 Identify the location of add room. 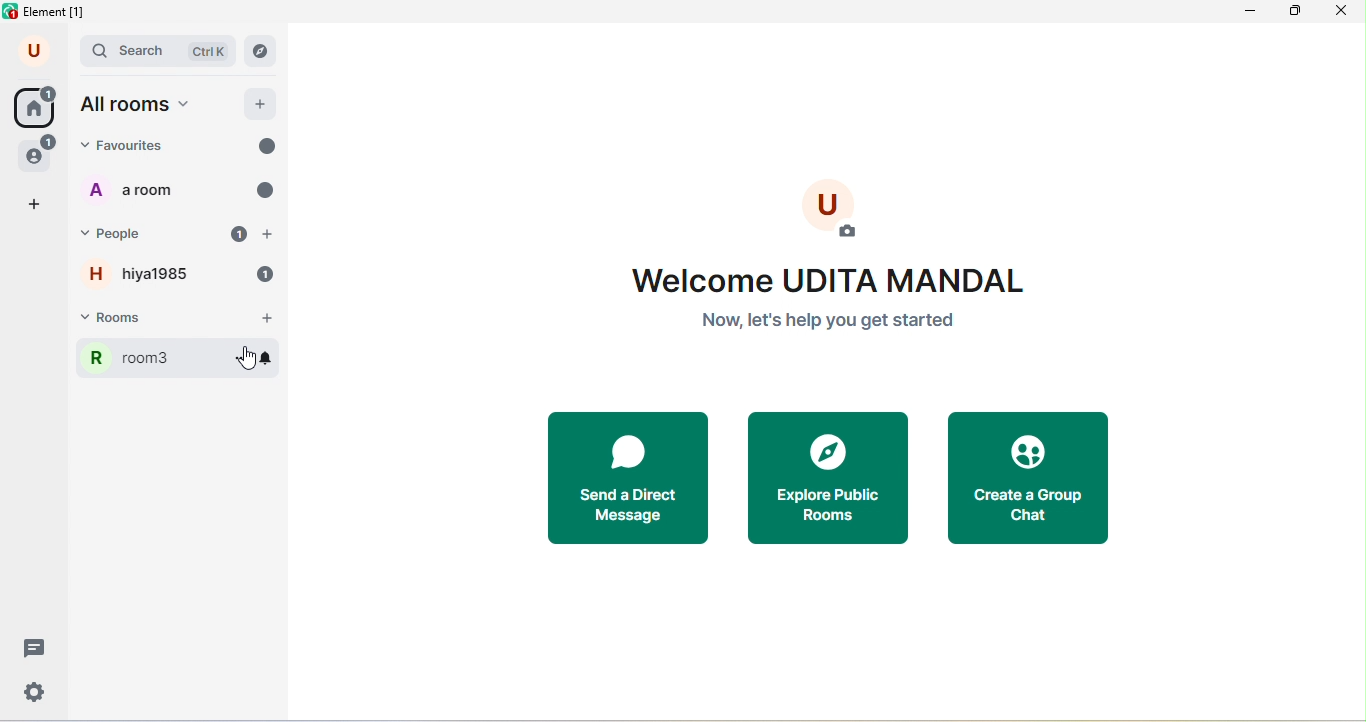
(267, 319).